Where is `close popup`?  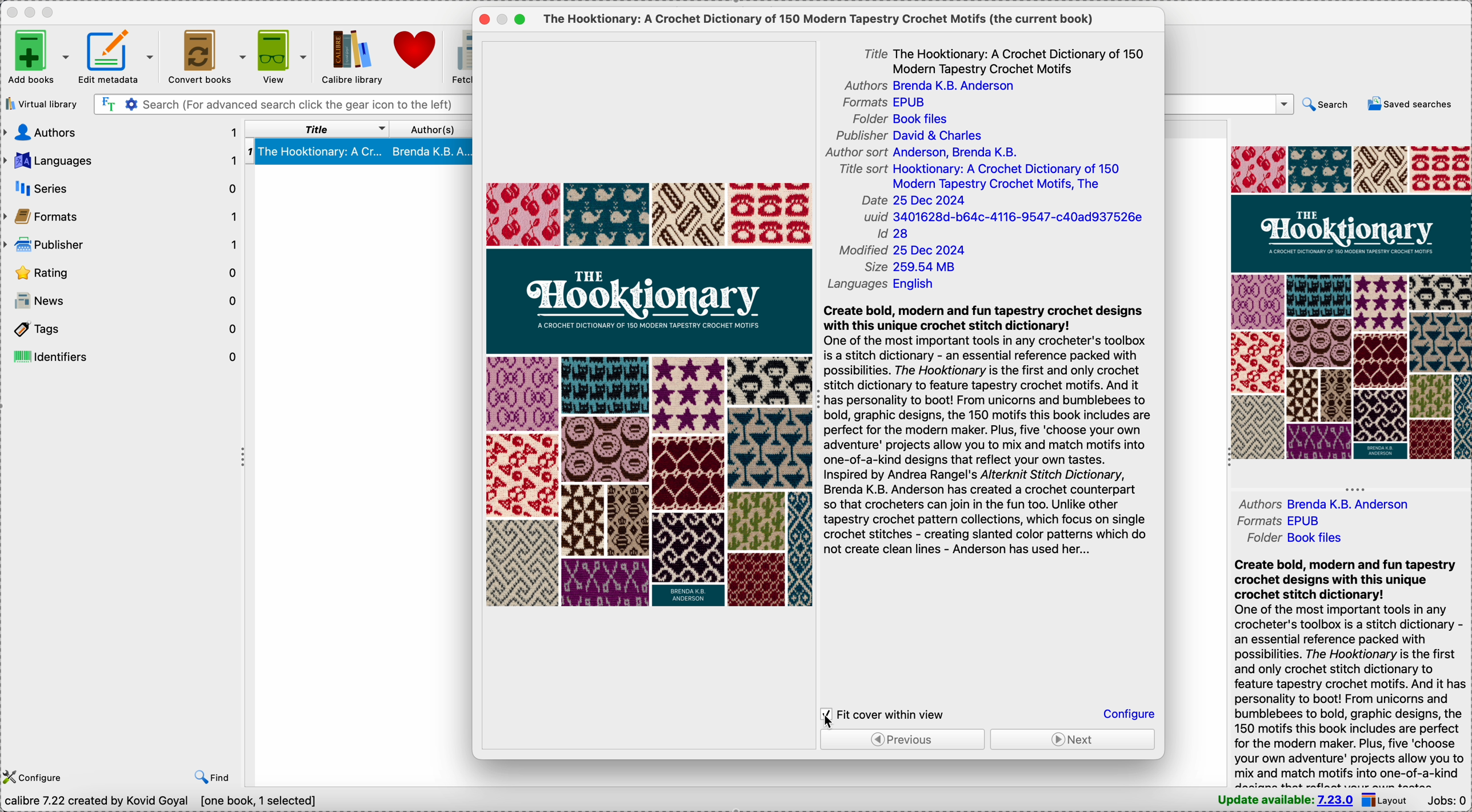 close popup is located at coordinates (483, 20).